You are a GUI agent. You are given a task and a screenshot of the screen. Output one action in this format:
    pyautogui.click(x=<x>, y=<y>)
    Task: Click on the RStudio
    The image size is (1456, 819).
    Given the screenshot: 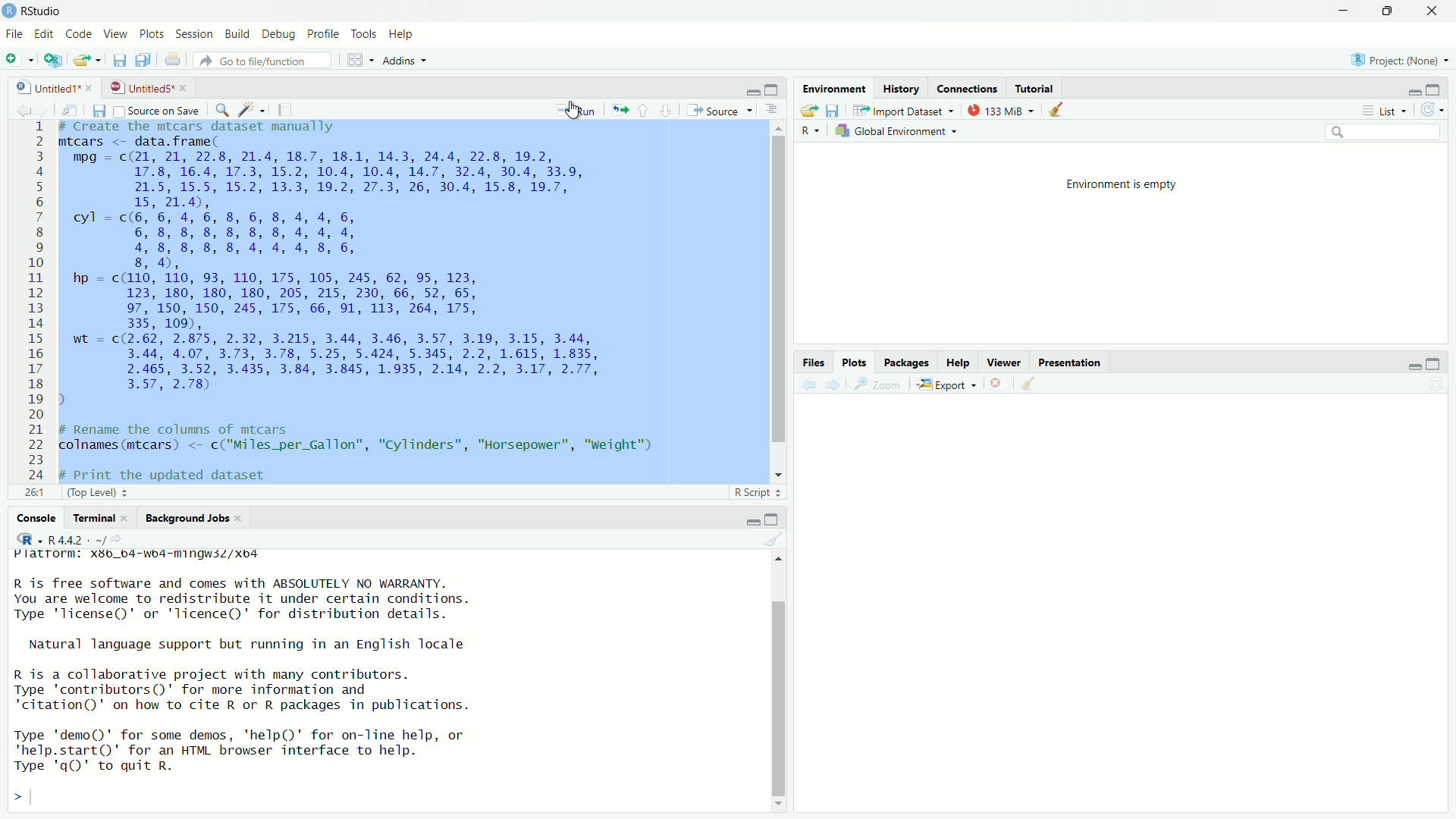 What is the action you would take?
    pyautogui.click(x=40, y=10)
    